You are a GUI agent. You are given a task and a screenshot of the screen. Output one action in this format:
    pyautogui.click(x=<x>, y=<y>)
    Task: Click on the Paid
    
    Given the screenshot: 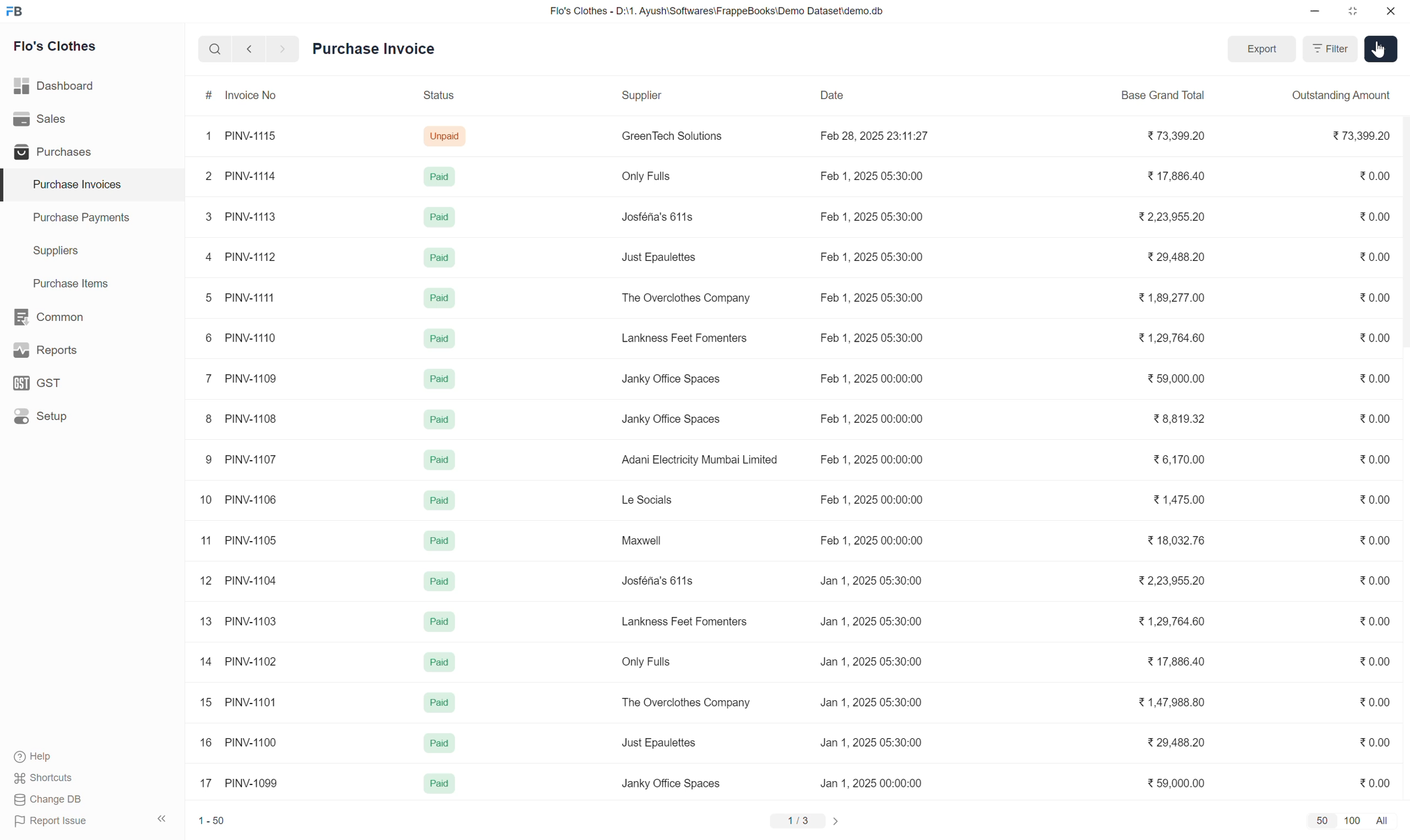 What is the action you would take?
    pyautogui.click(x=436, y=706)
    